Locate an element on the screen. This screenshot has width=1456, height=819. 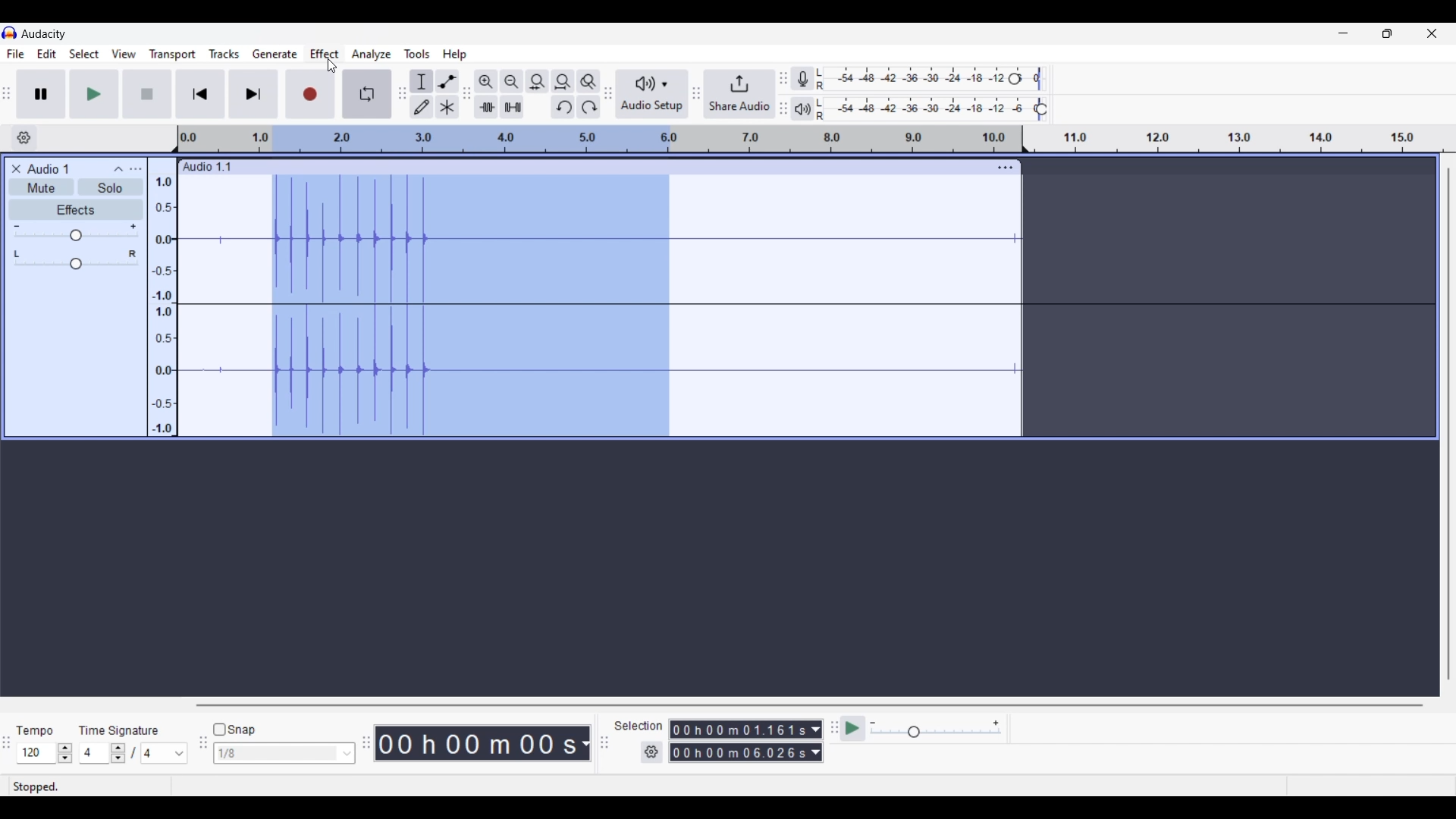
File menu is located at coordinates (16, 54).